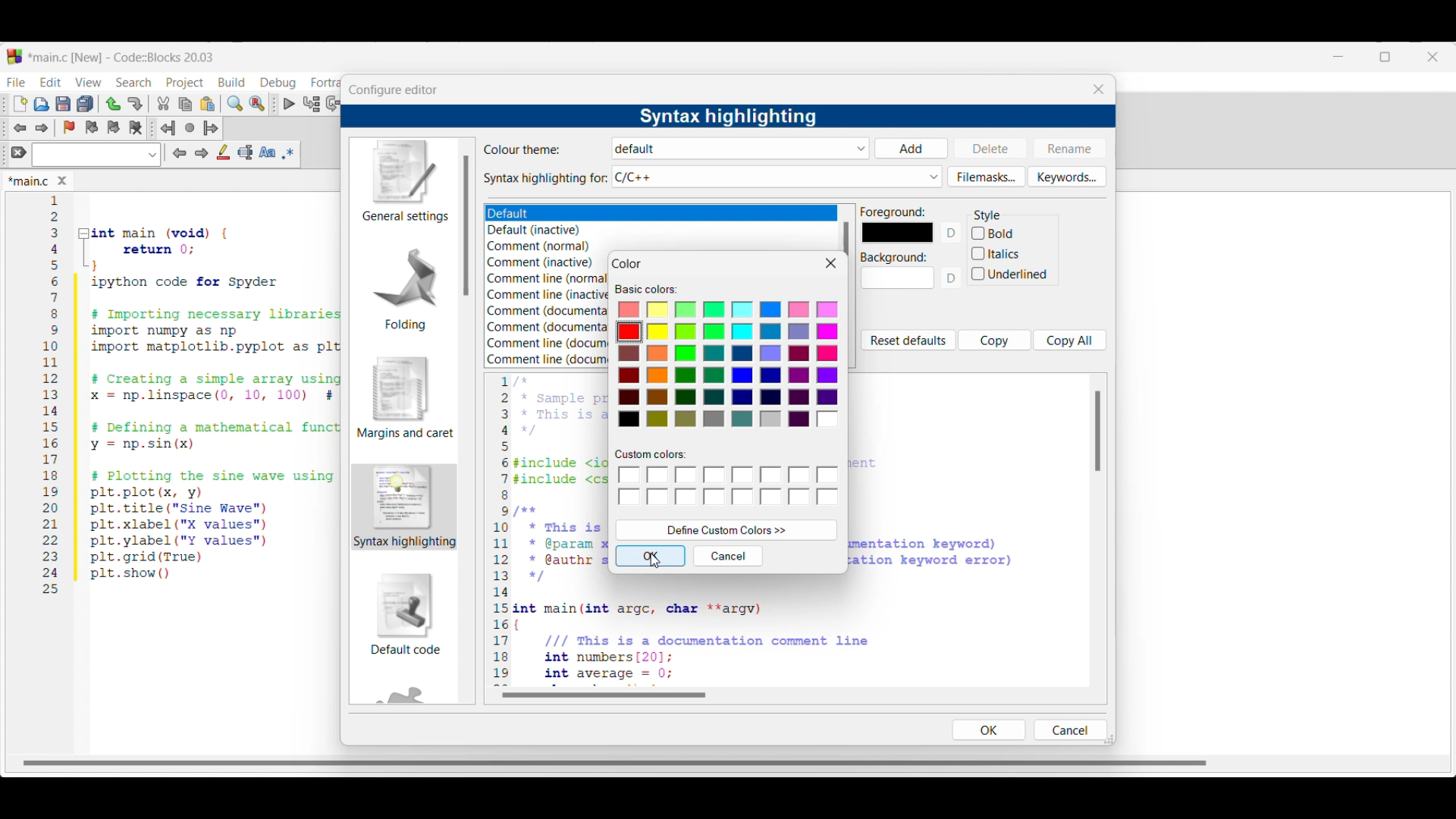 The height and width of the screenshot is (819, 1456). I want to click on Save everything, so click(85, 103).